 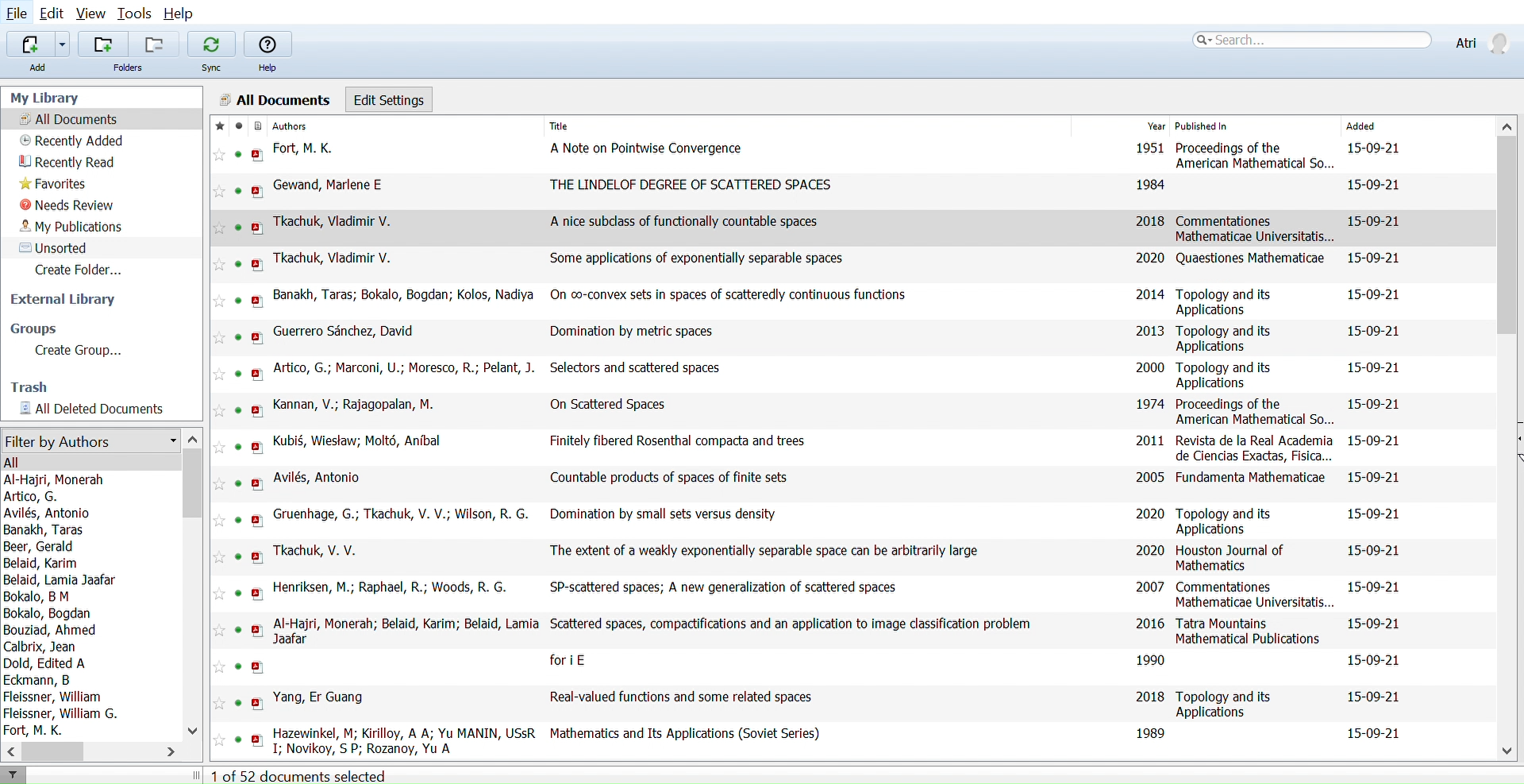 I want to click on 2007, so click(x=1148, y=586).